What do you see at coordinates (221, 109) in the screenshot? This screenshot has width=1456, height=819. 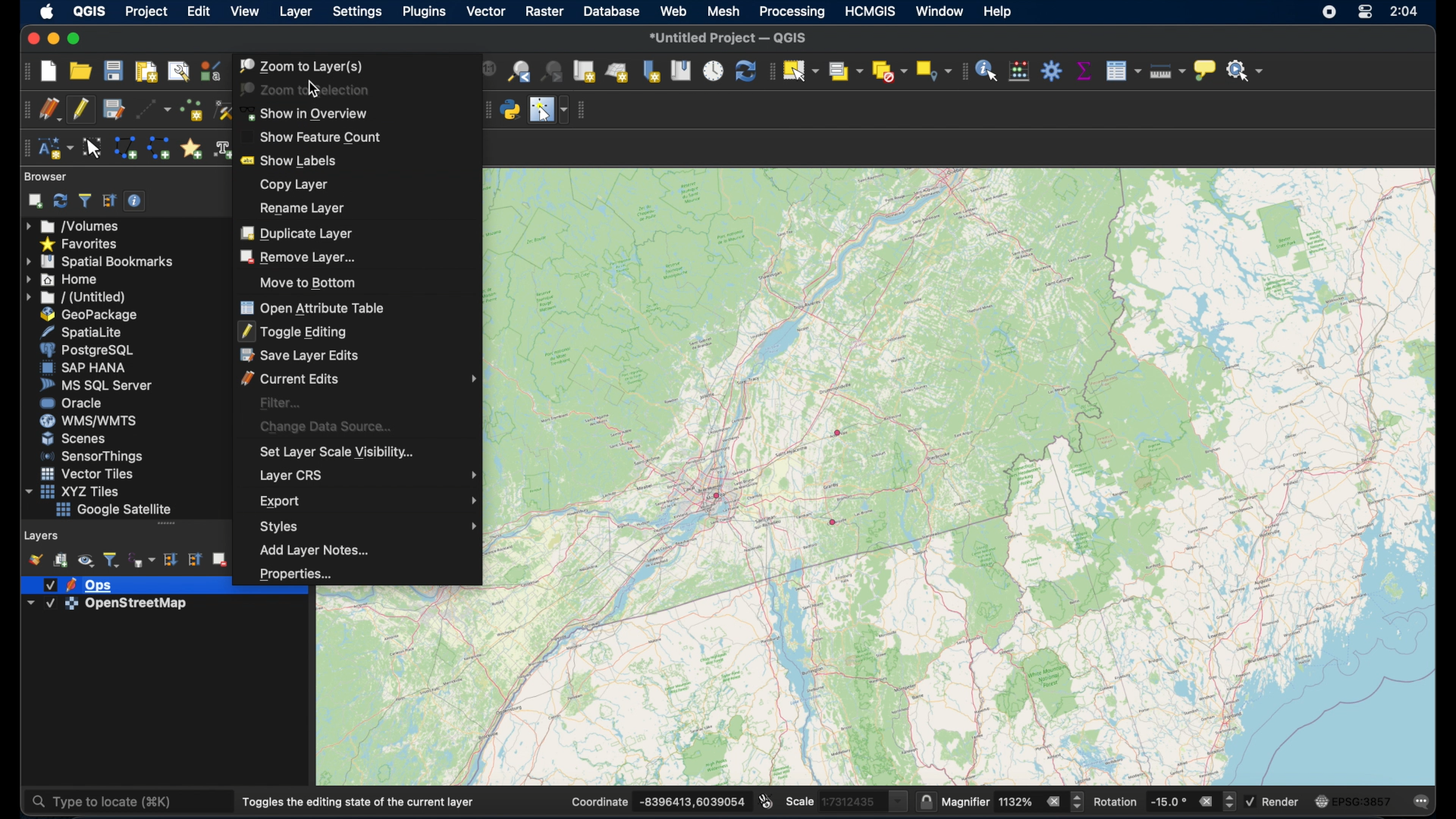 I see `vertex tool` at bounding box center [221, 109].